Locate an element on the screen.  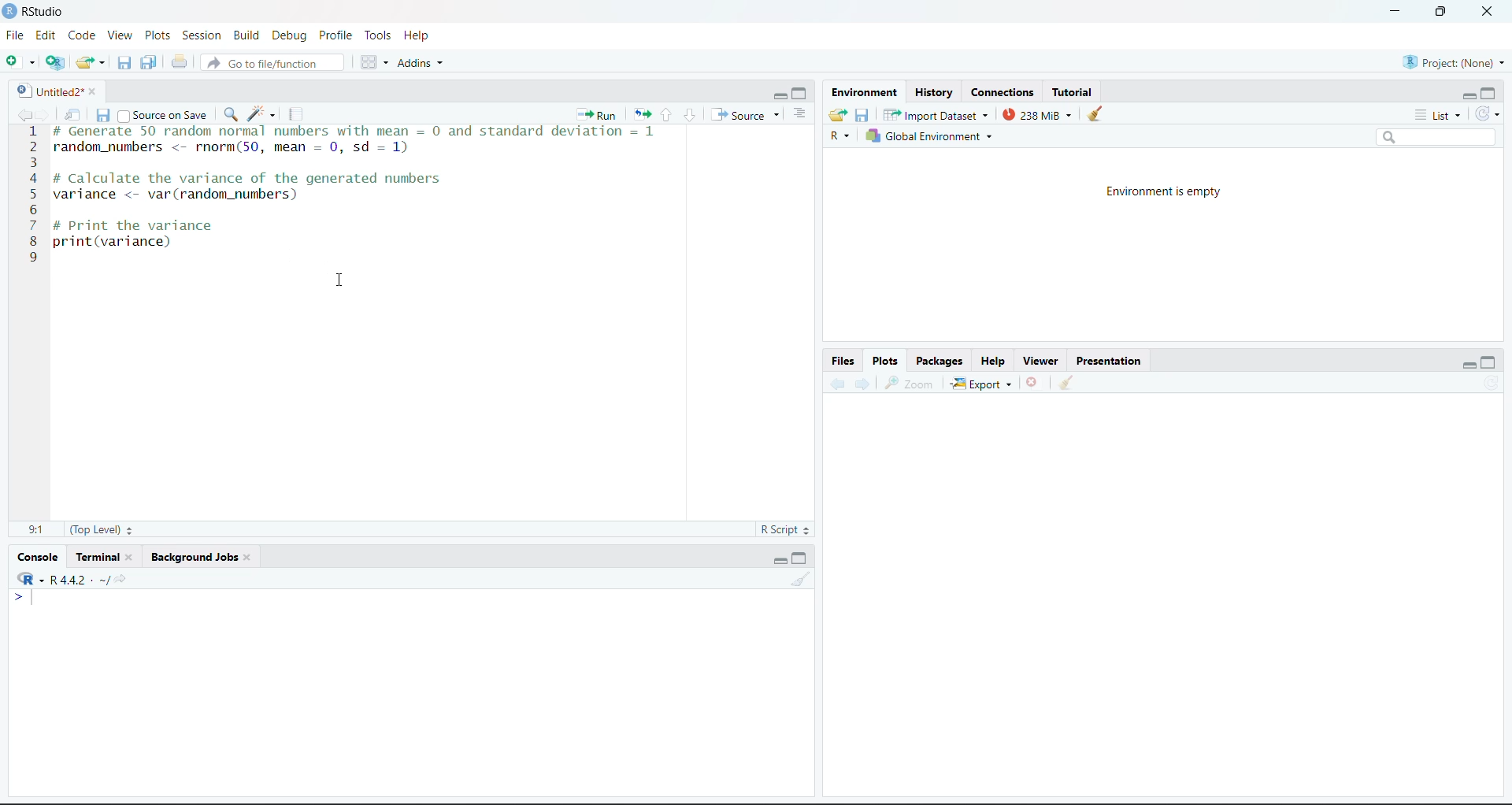
save is located at coordinates (124, 63).